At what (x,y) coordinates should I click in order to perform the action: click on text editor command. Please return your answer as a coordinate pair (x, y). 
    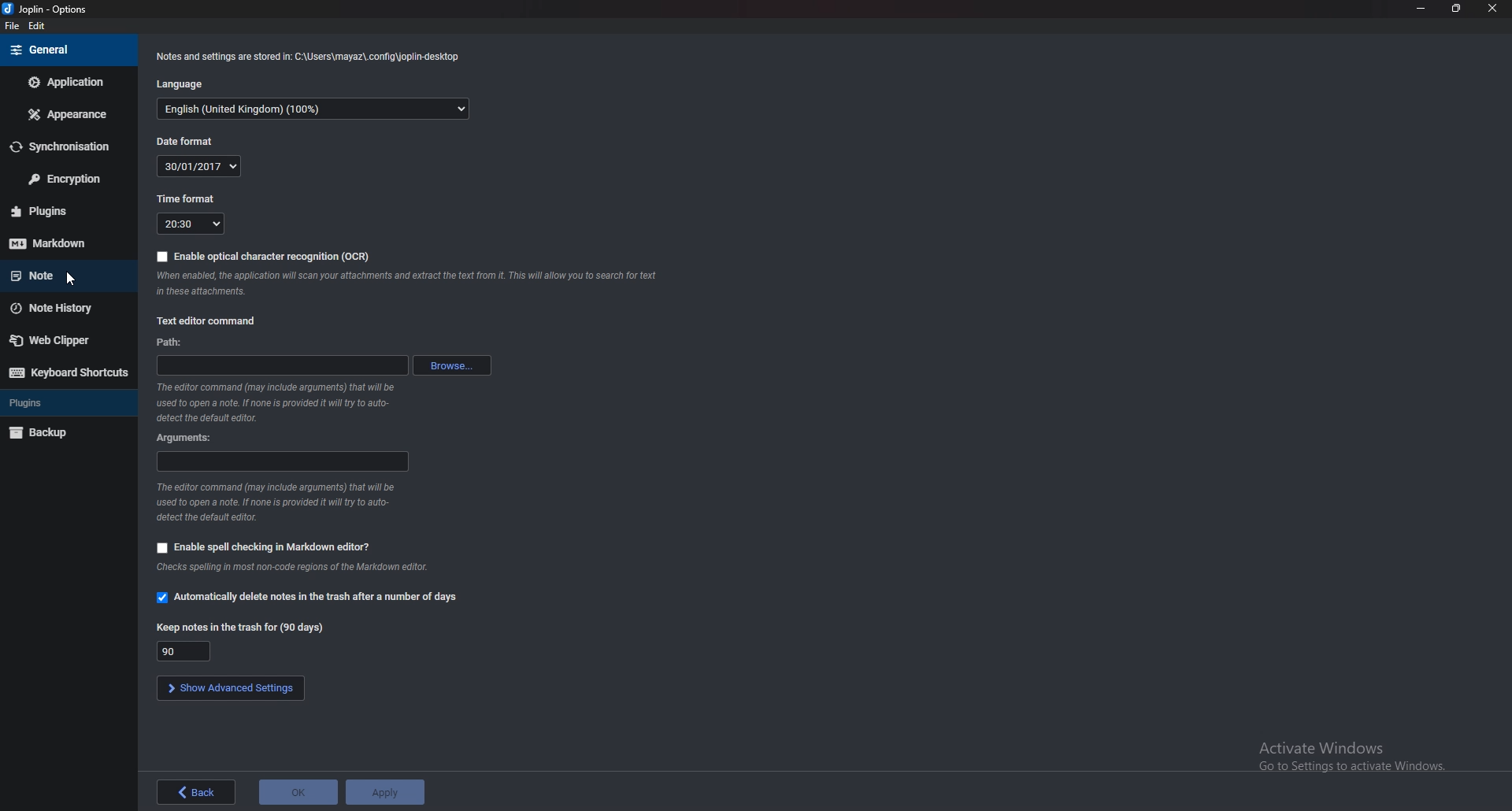
    Looking at the image, I should click on (213, 321).